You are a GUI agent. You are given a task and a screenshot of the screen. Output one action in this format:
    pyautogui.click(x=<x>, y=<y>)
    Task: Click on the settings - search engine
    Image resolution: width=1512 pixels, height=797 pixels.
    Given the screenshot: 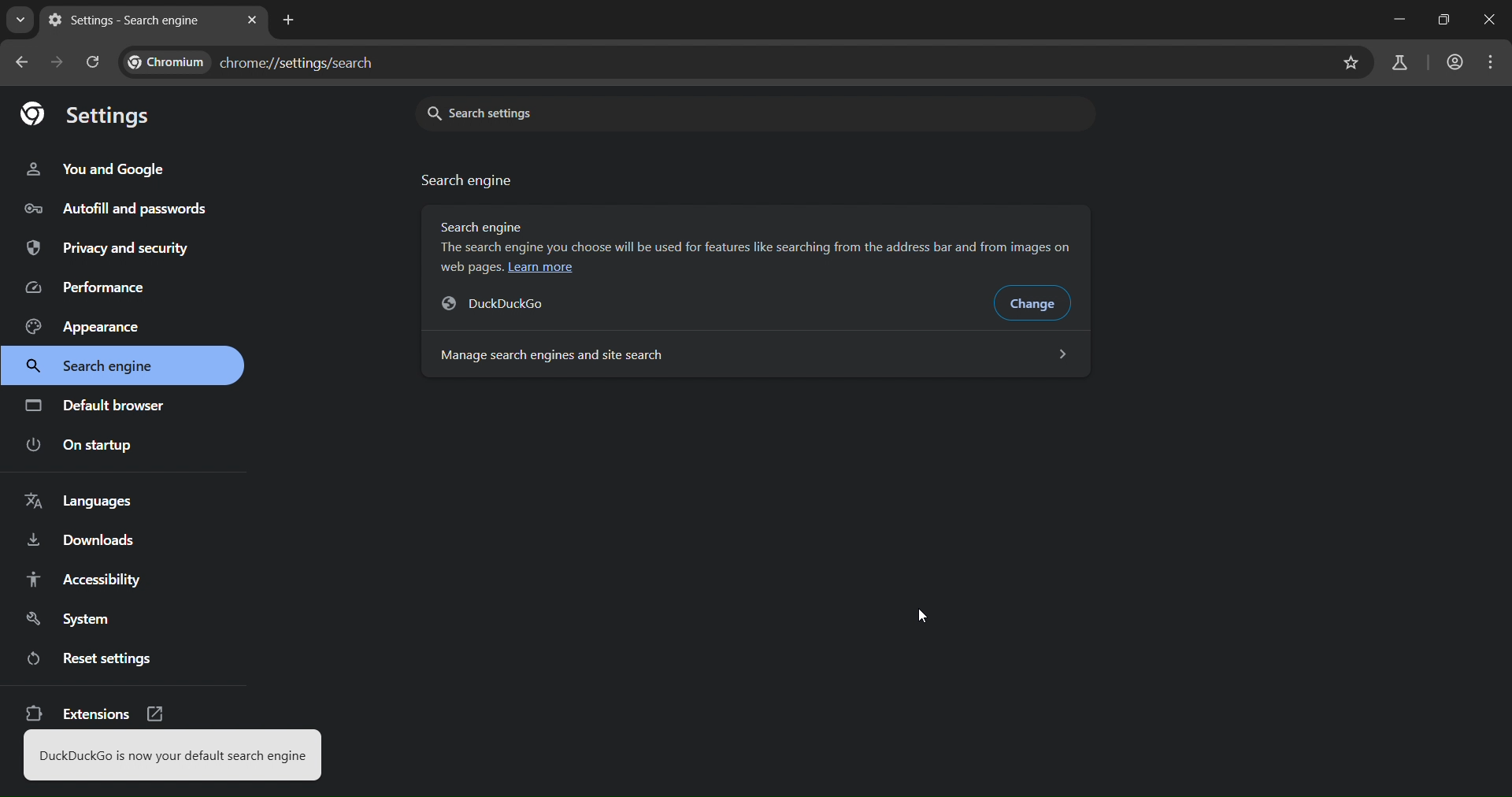 What is the action you would take?
    pyautogui.click(x=128, y=20)
    